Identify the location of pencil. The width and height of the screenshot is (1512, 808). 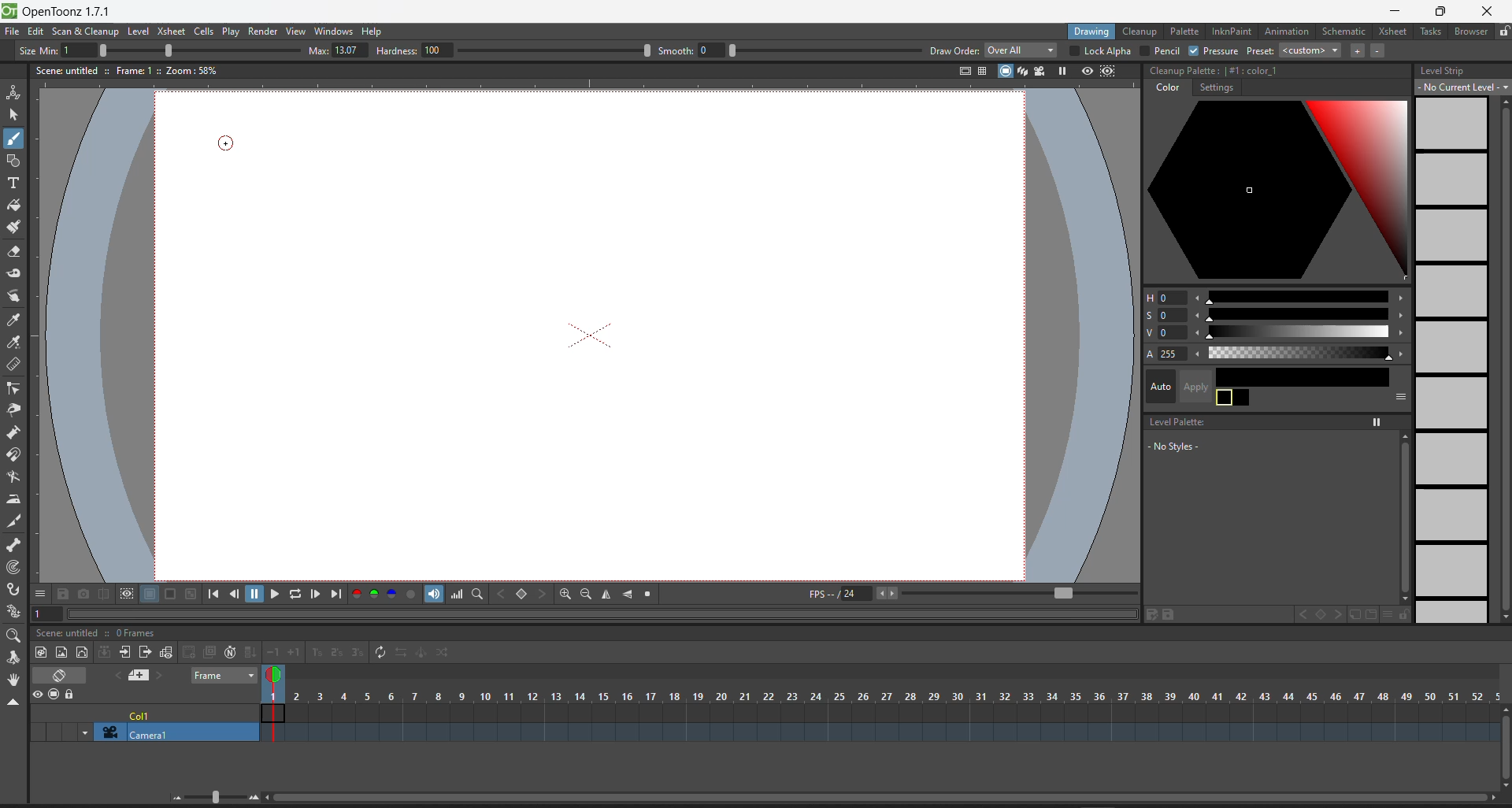
(1162, 52).